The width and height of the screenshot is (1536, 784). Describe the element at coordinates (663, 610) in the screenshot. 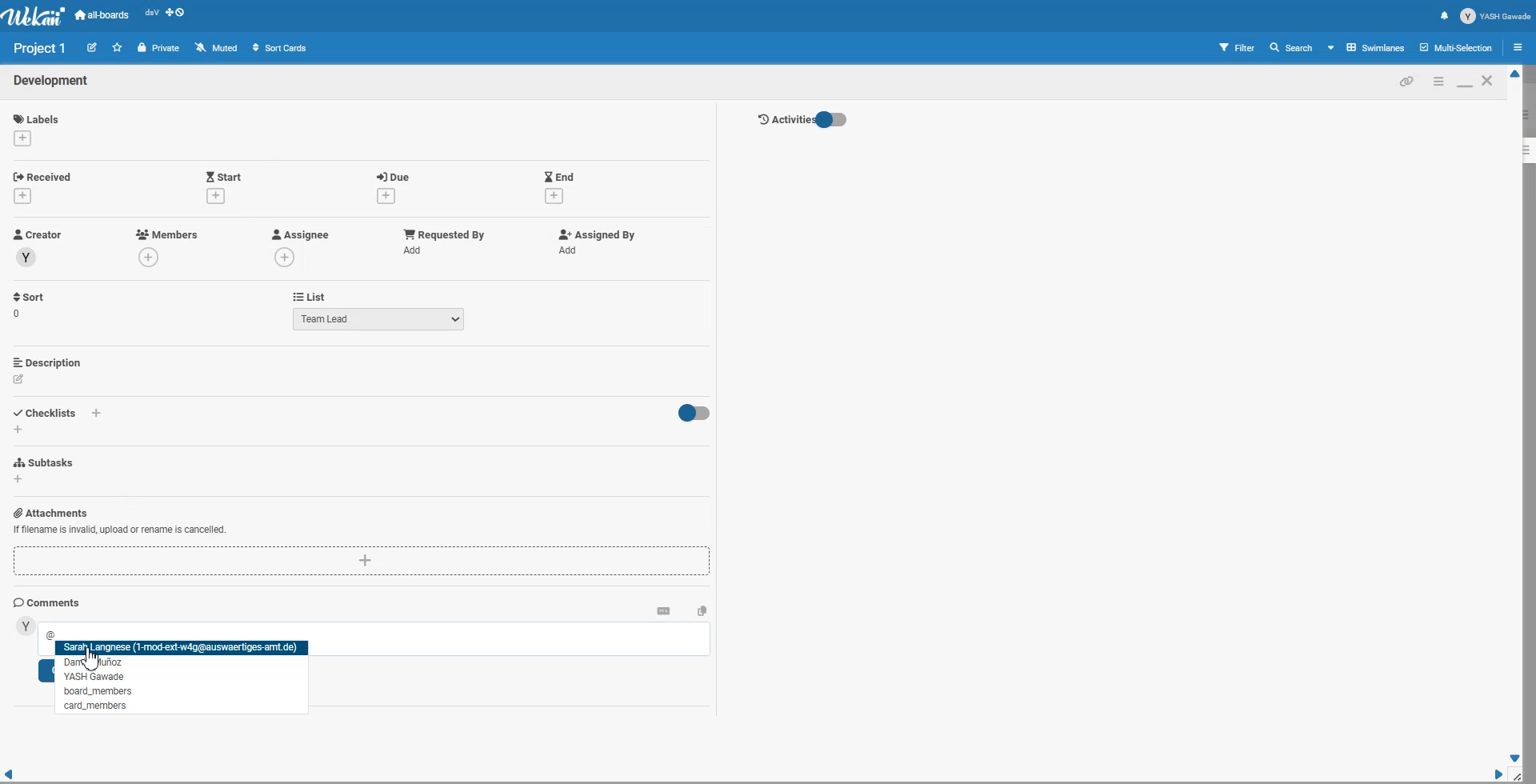

I see `Convert to markdown` at that location.